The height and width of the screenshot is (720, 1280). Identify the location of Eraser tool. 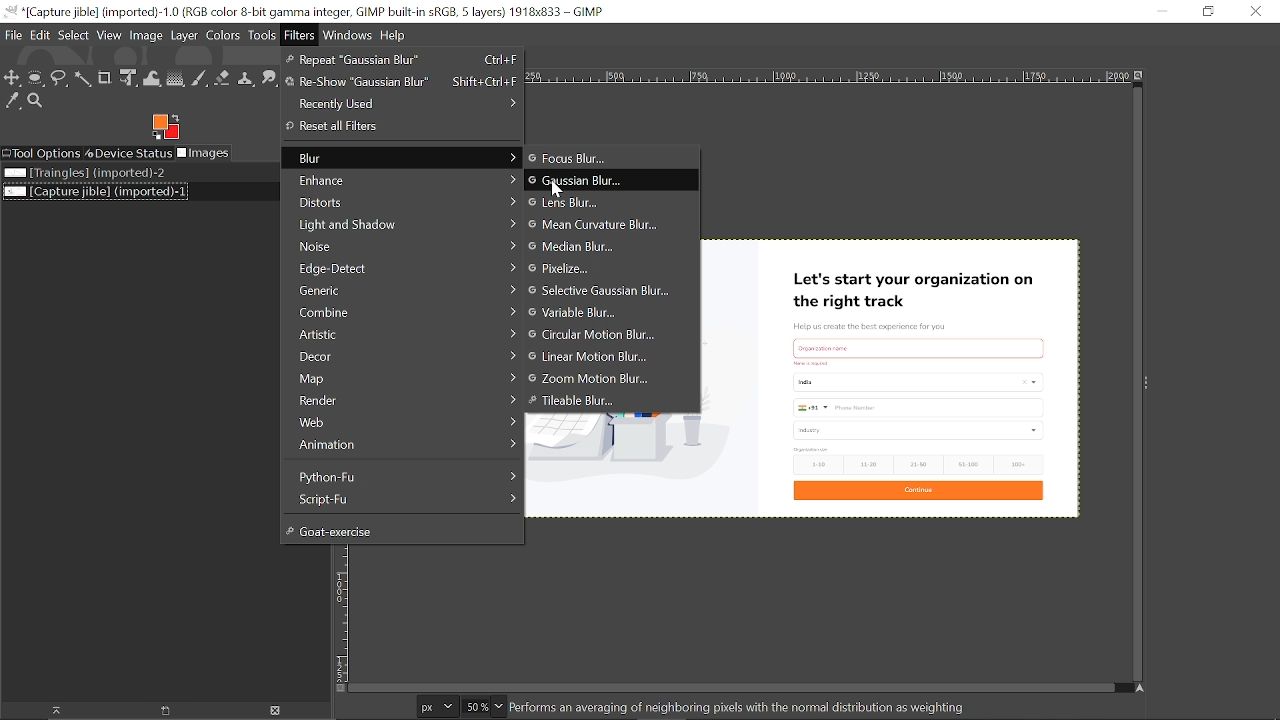
(222, 78).